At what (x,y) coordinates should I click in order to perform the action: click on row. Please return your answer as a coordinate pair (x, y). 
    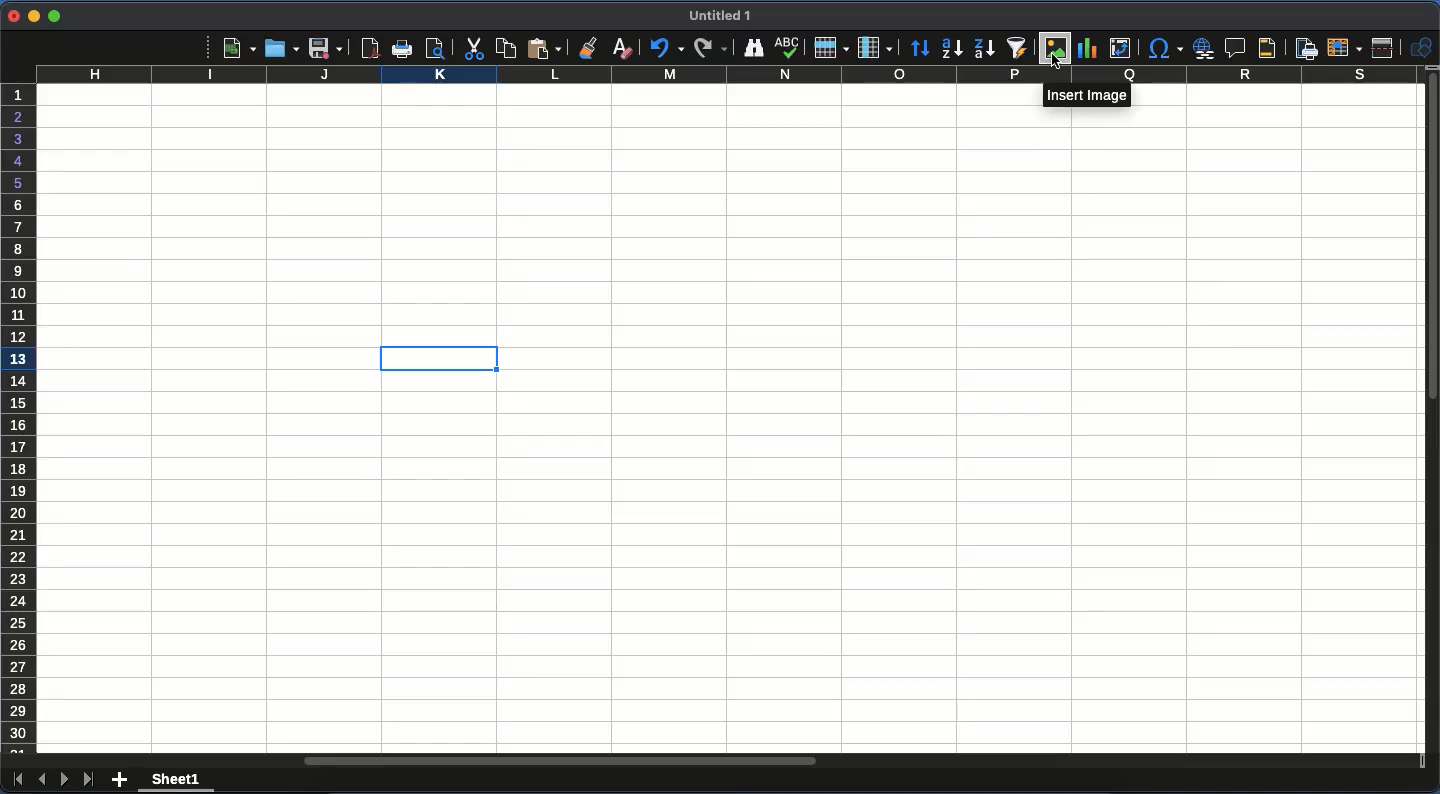
    Looking at the image, I should click on (829, 49).